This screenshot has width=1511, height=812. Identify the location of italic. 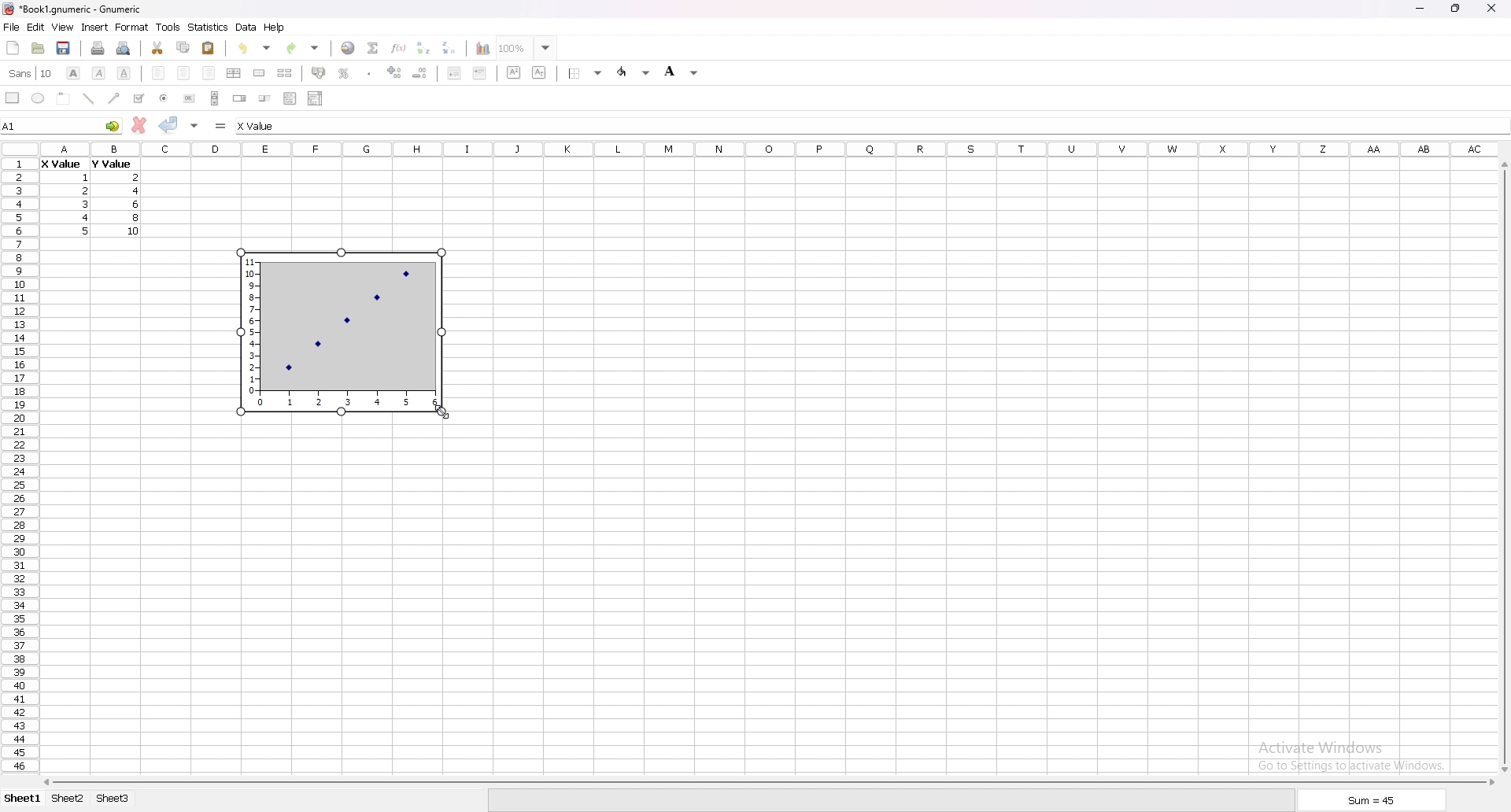
(100, 72).